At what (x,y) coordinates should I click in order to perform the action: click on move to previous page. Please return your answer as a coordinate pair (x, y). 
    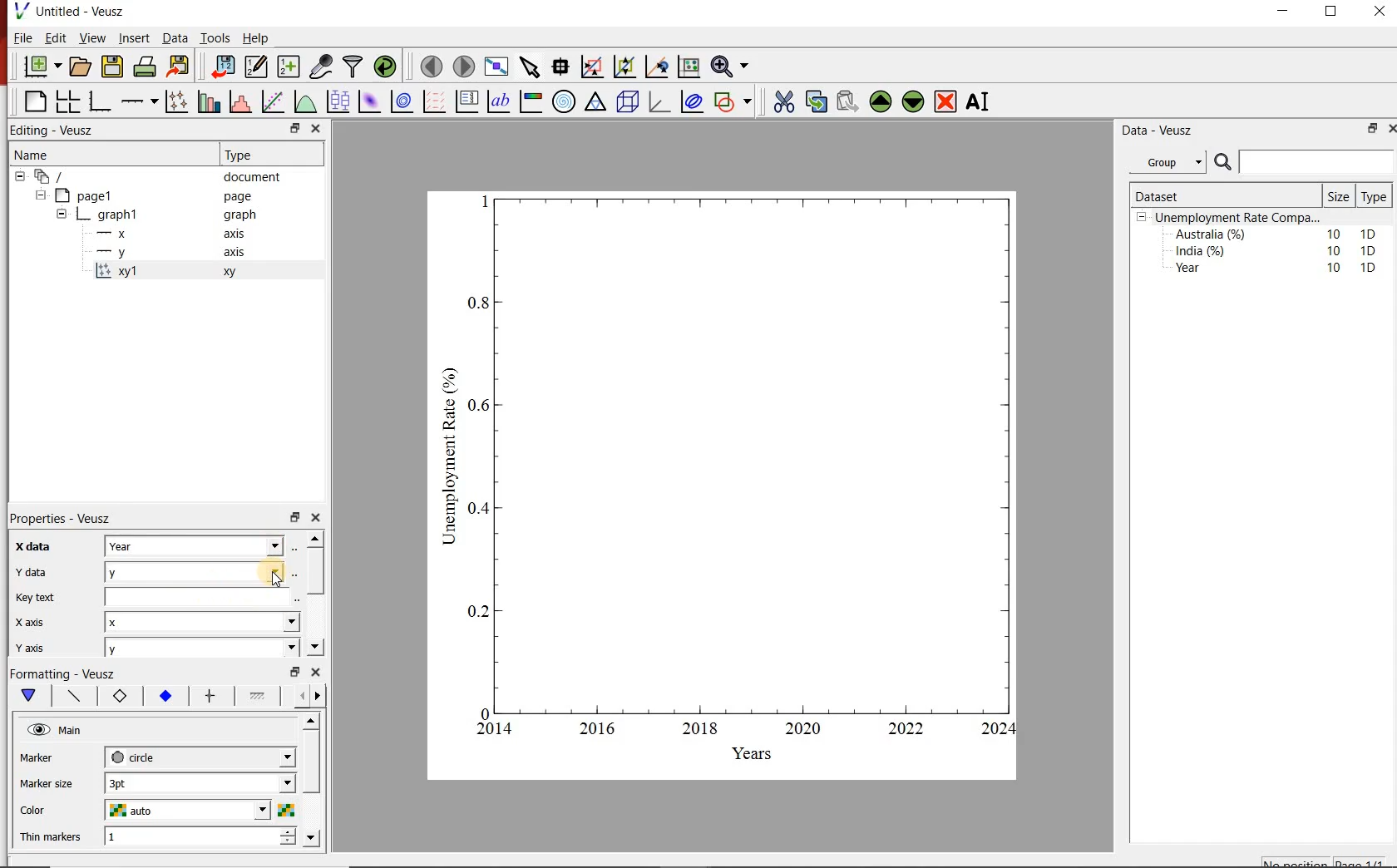
    Looking at the image, I should click on (432, 65).